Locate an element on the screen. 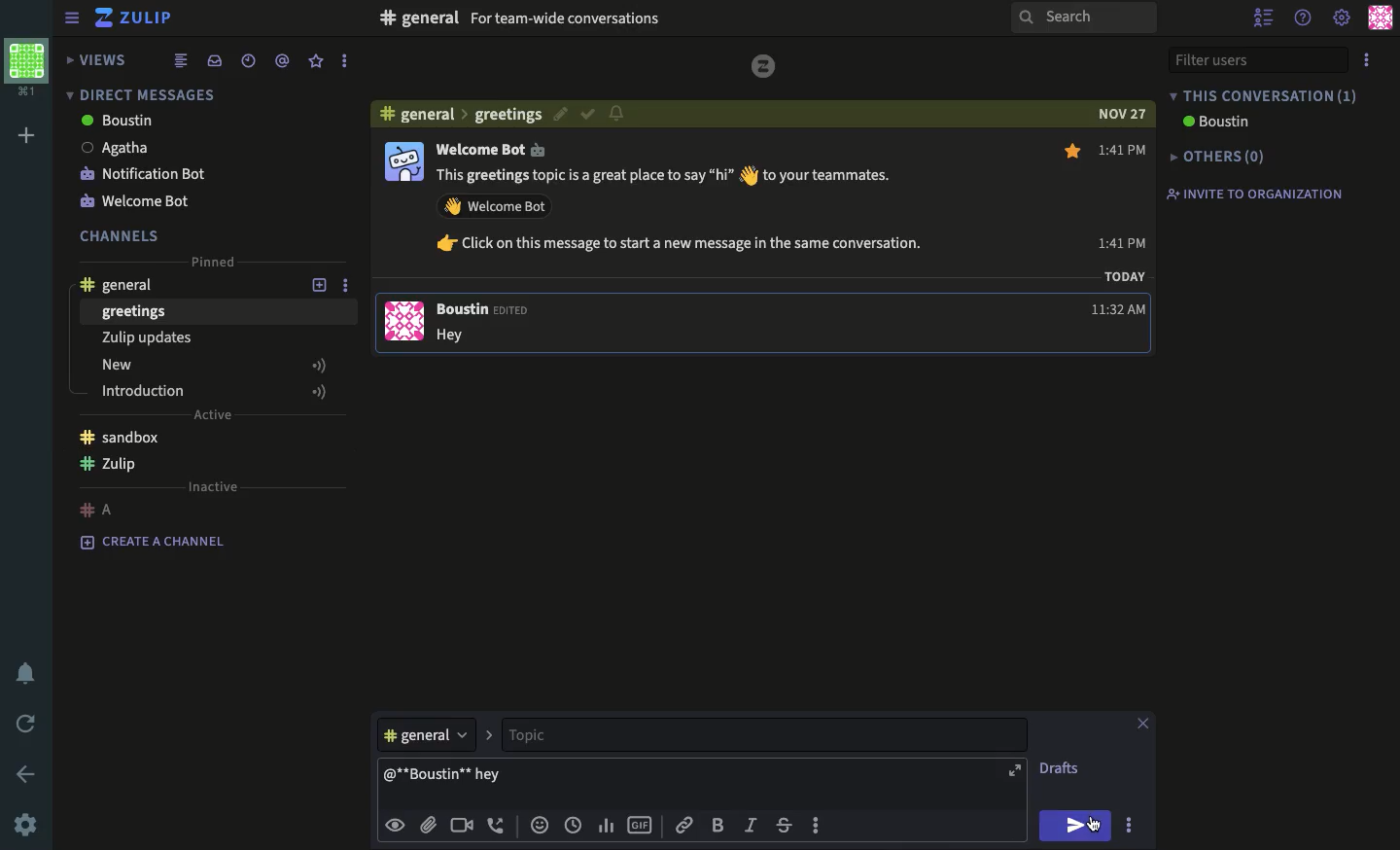 This screenshot has width=1400, height=850. bold is located at coordinates (718, 826).